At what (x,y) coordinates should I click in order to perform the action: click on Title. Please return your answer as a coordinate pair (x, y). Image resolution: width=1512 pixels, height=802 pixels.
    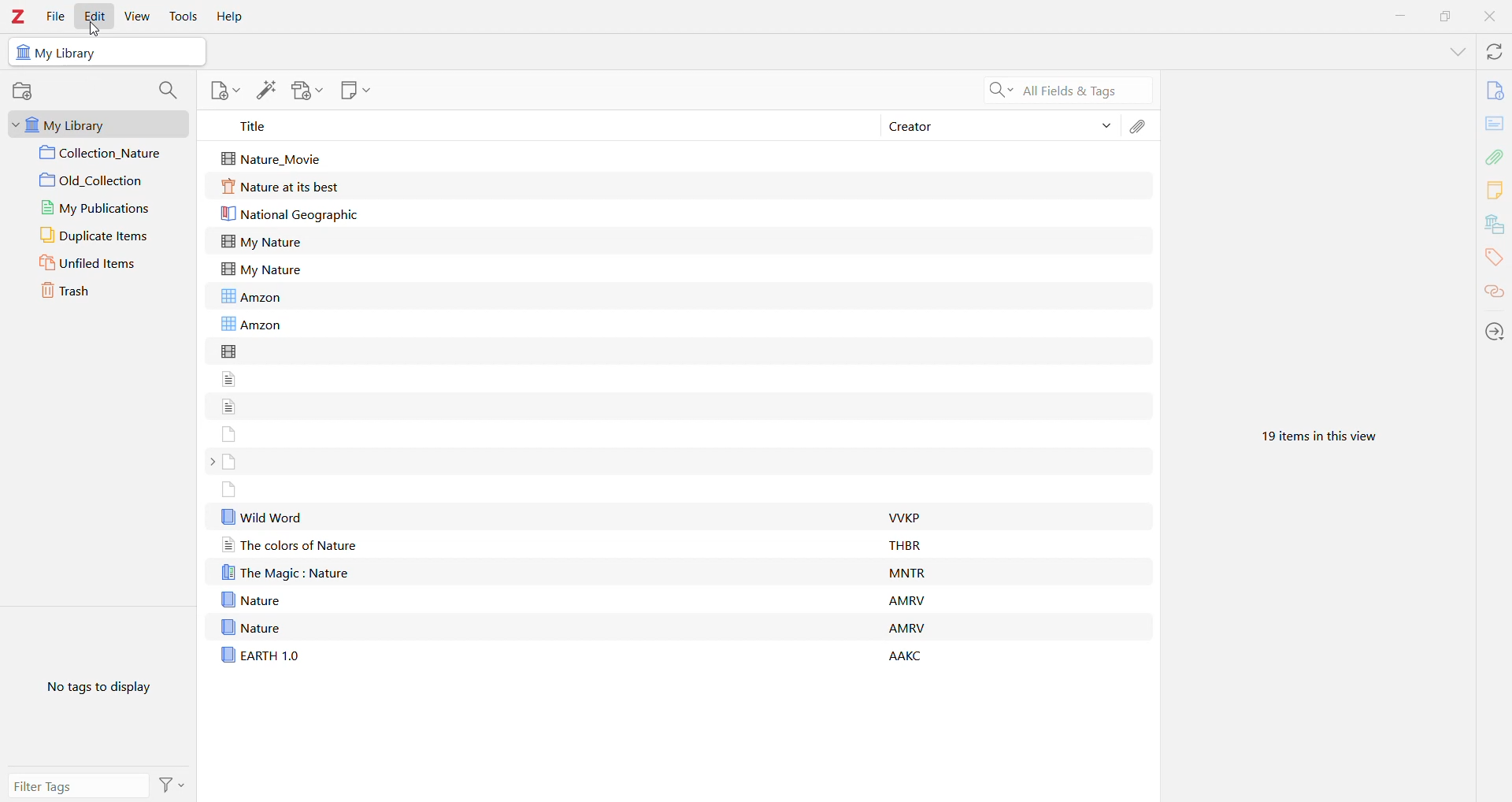
    Looking at the image, I should click on (536, 126).